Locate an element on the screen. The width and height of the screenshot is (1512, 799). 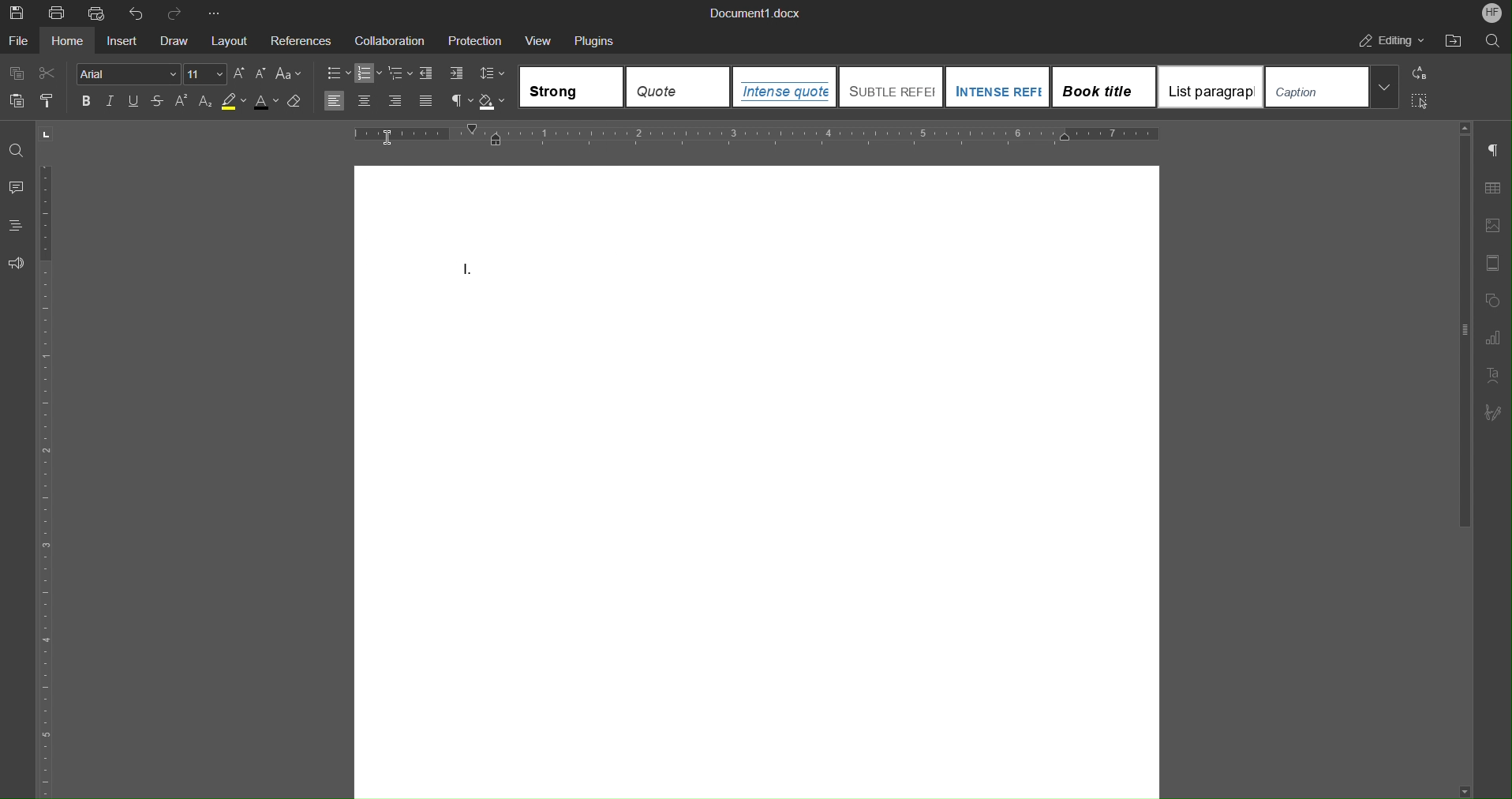
More is located at coordinates (214, 13).